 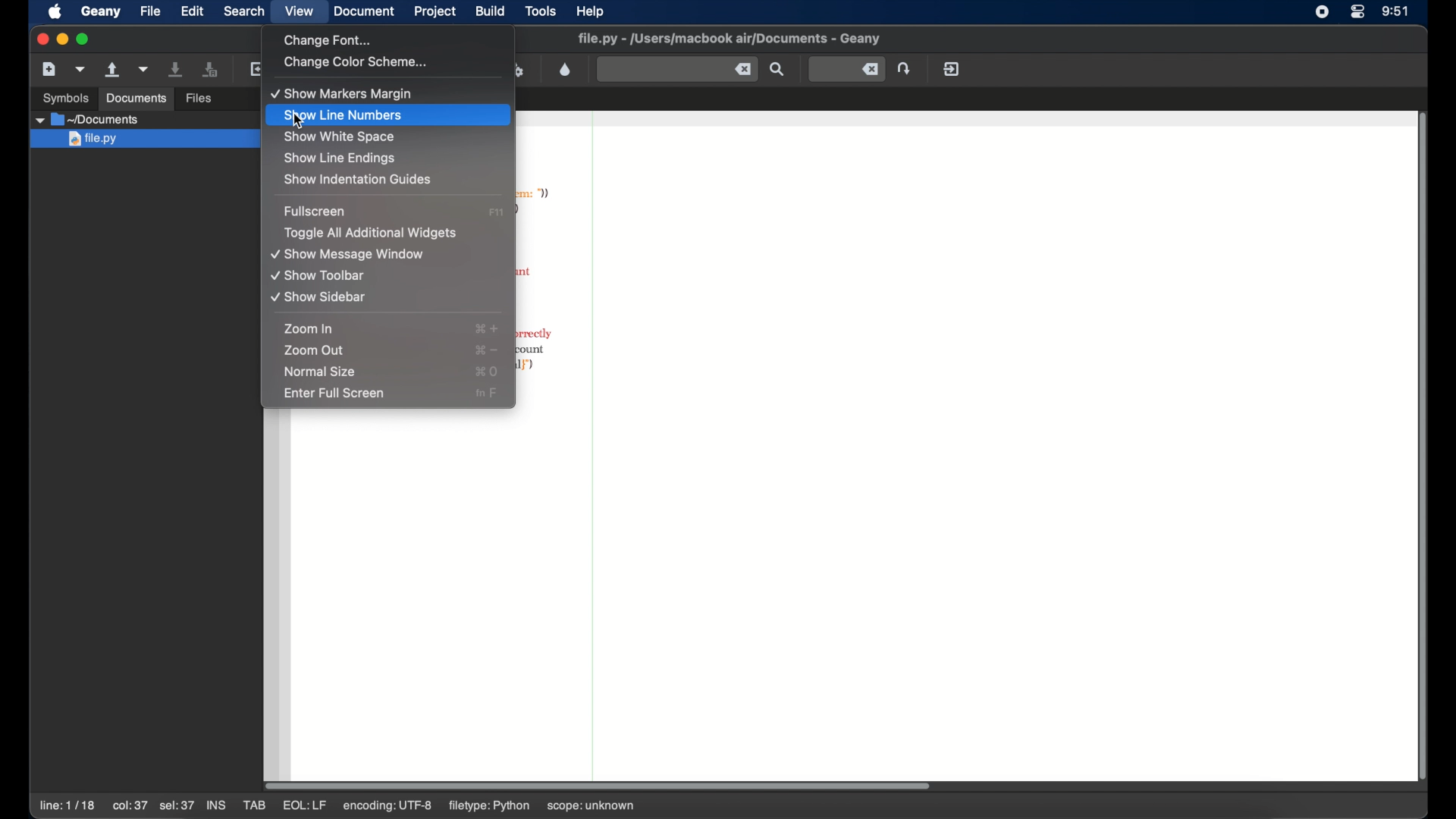 I want to click on zoom in, so click(x=309, y=329).